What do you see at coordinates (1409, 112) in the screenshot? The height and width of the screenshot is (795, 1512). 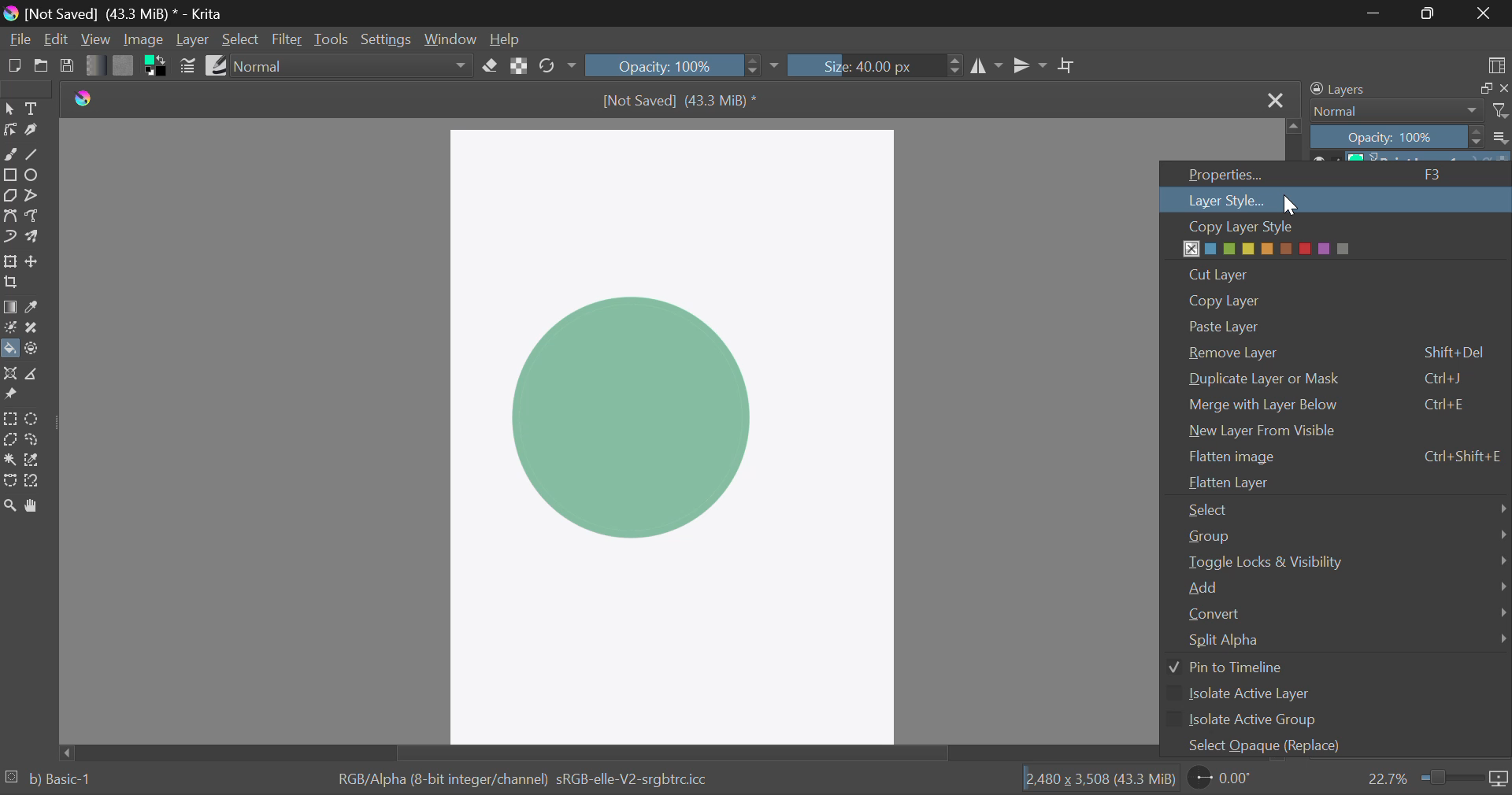 I see `Blending Modes` at bounding box center [1409, 112].